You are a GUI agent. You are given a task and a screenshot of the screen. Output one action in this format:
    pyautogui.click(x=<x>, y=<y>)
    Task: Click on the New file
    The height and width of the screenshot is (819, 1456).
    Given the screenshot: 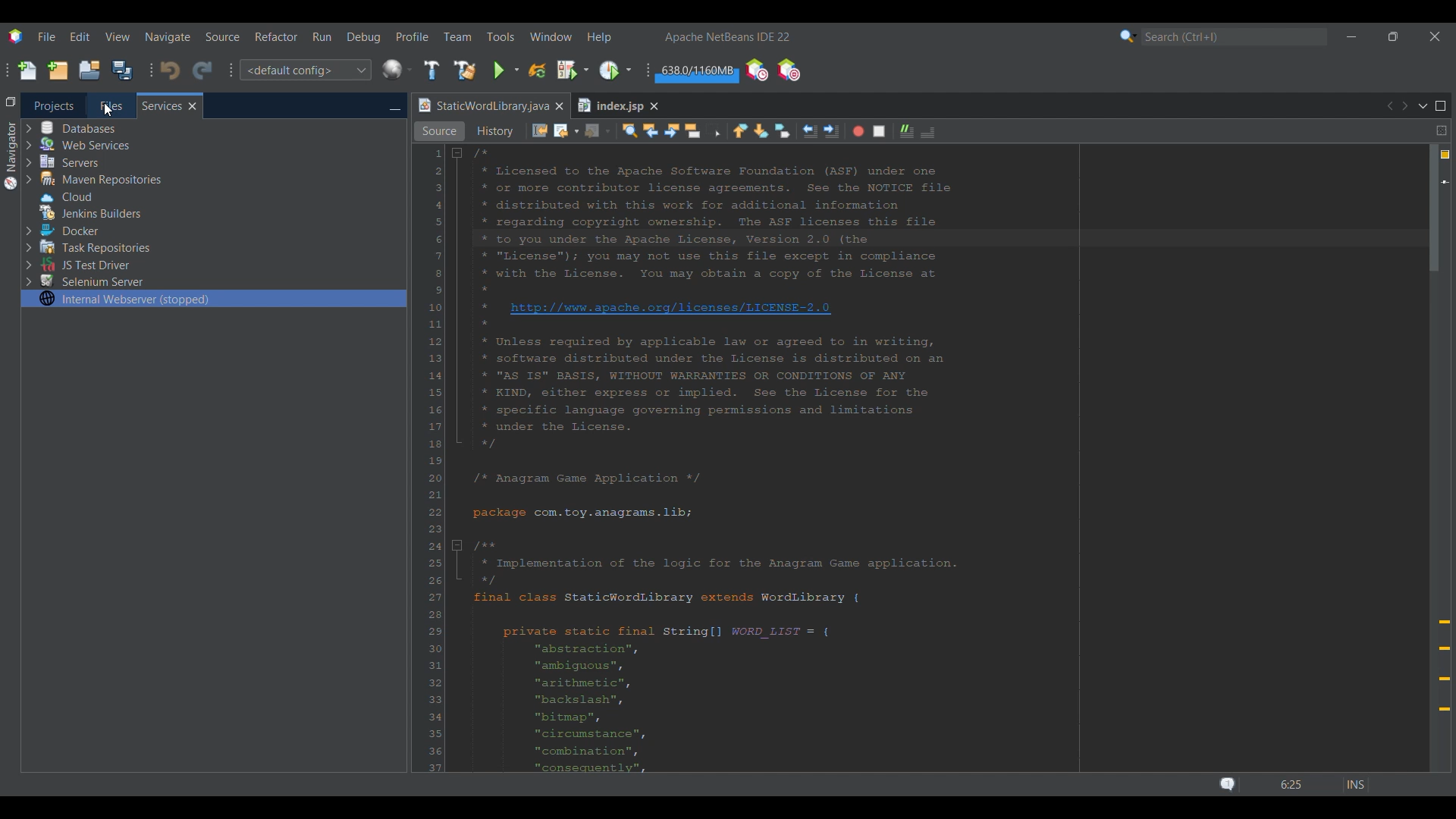 What is the action you would take?
    pyautogui.click(x=27, y=71)
    